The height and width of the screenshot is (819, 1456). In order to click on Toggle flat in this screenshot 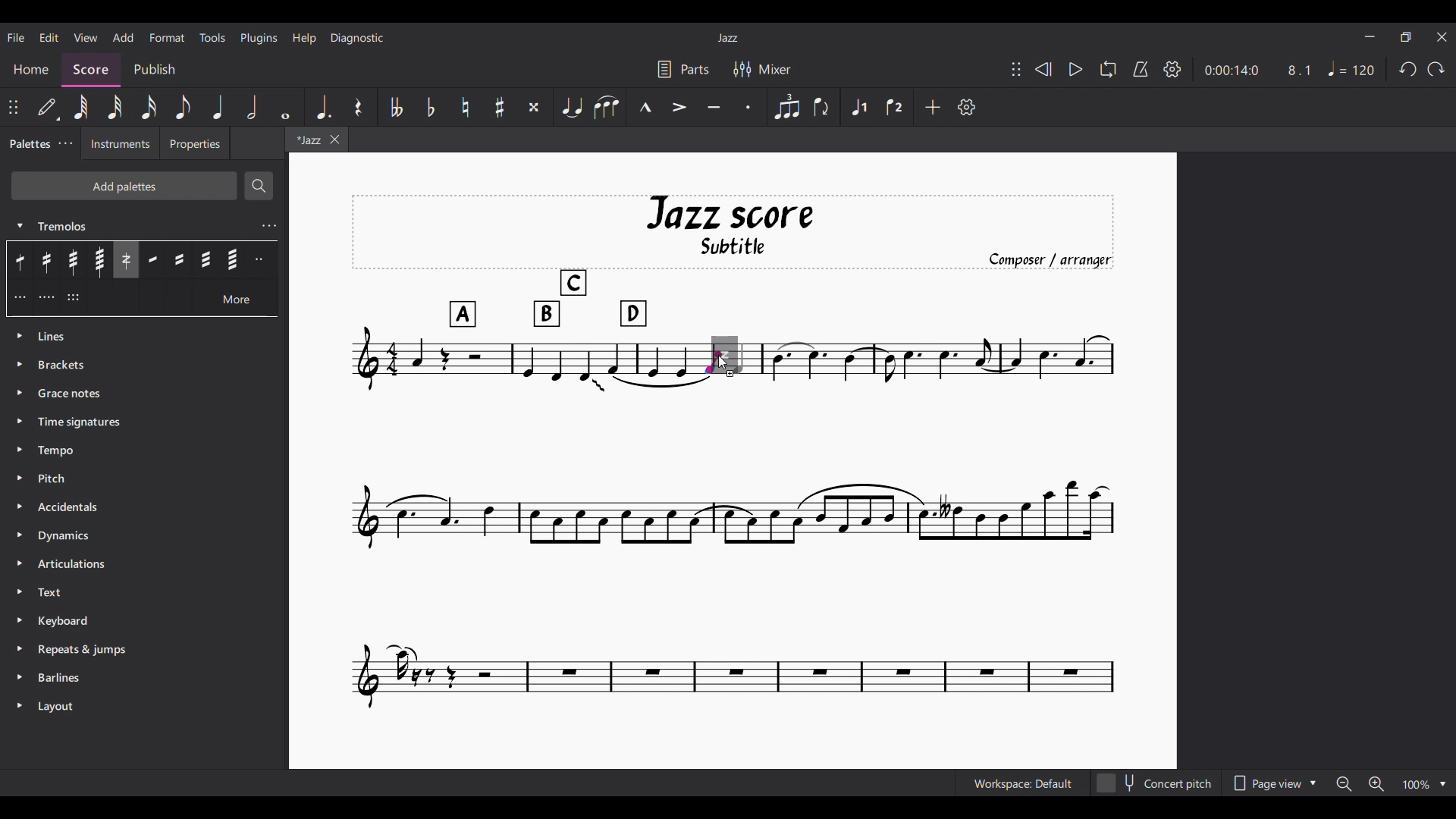, I will do `click(431, 107)`.